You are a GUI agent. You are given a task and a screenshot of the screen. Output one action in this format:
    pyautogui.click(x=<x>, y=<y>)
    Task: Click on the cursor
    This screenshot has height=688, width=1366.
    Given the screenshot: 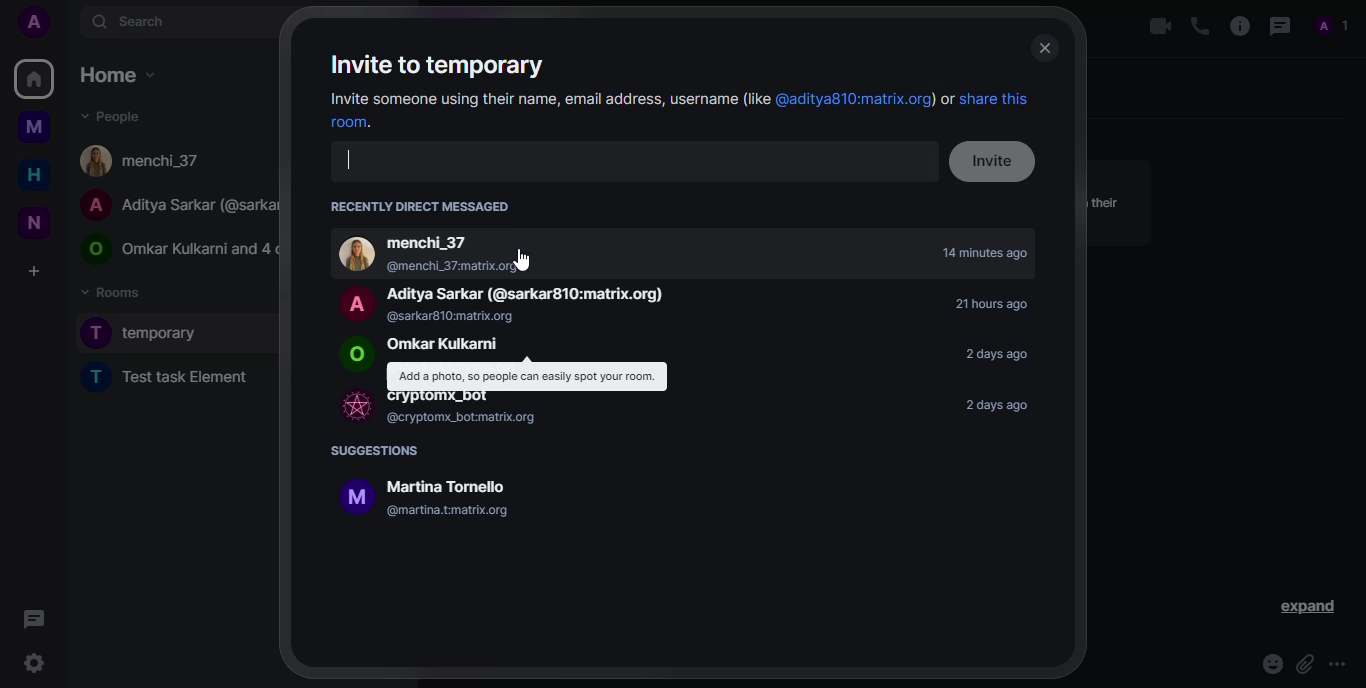 What is the action you would take?
    pyautogui.click(x=518, y=261)
    